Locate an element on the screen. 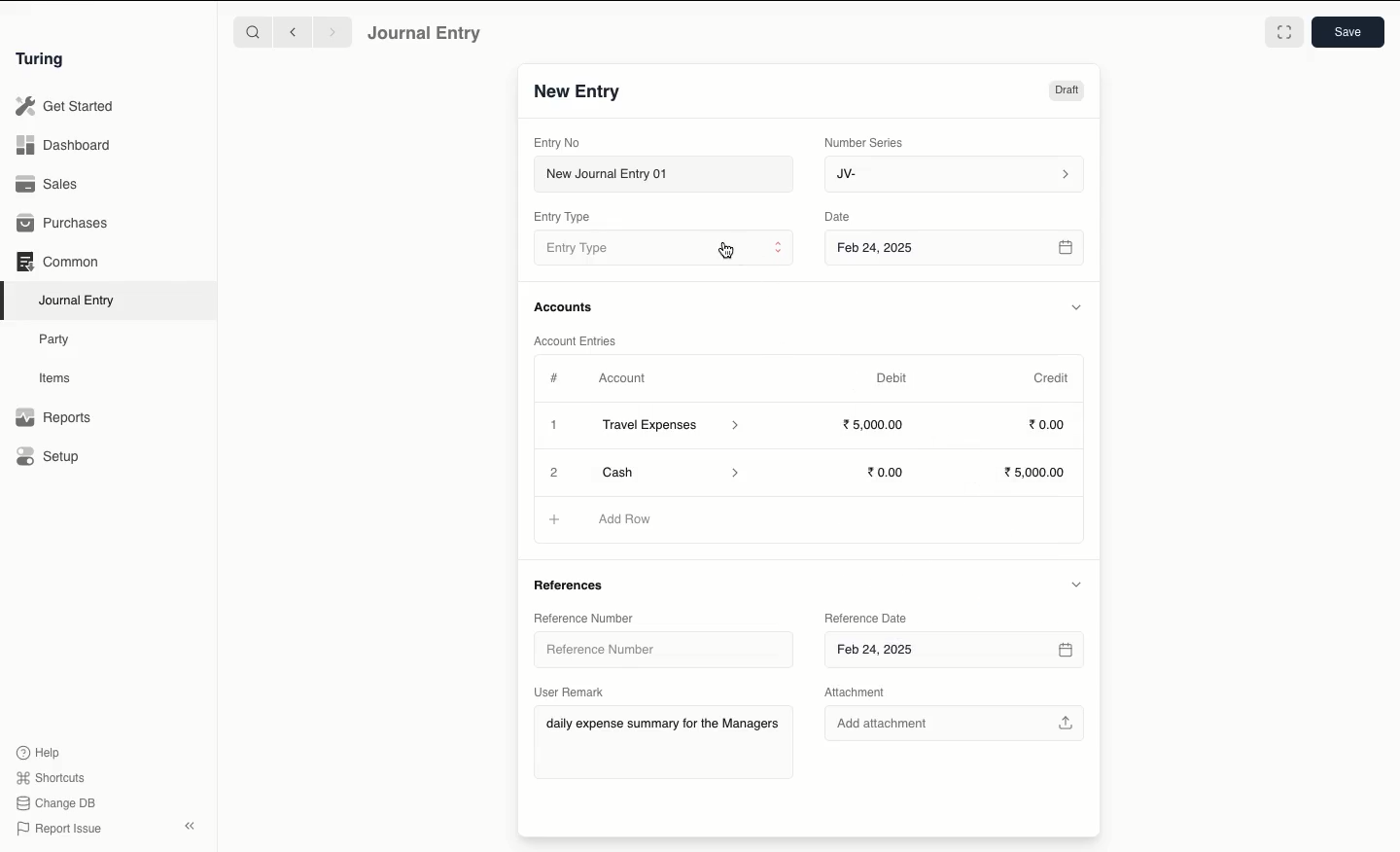 Image resolution: width=1400 pixels, height=852 pixels. cursor is located at coordinates (725, 250).